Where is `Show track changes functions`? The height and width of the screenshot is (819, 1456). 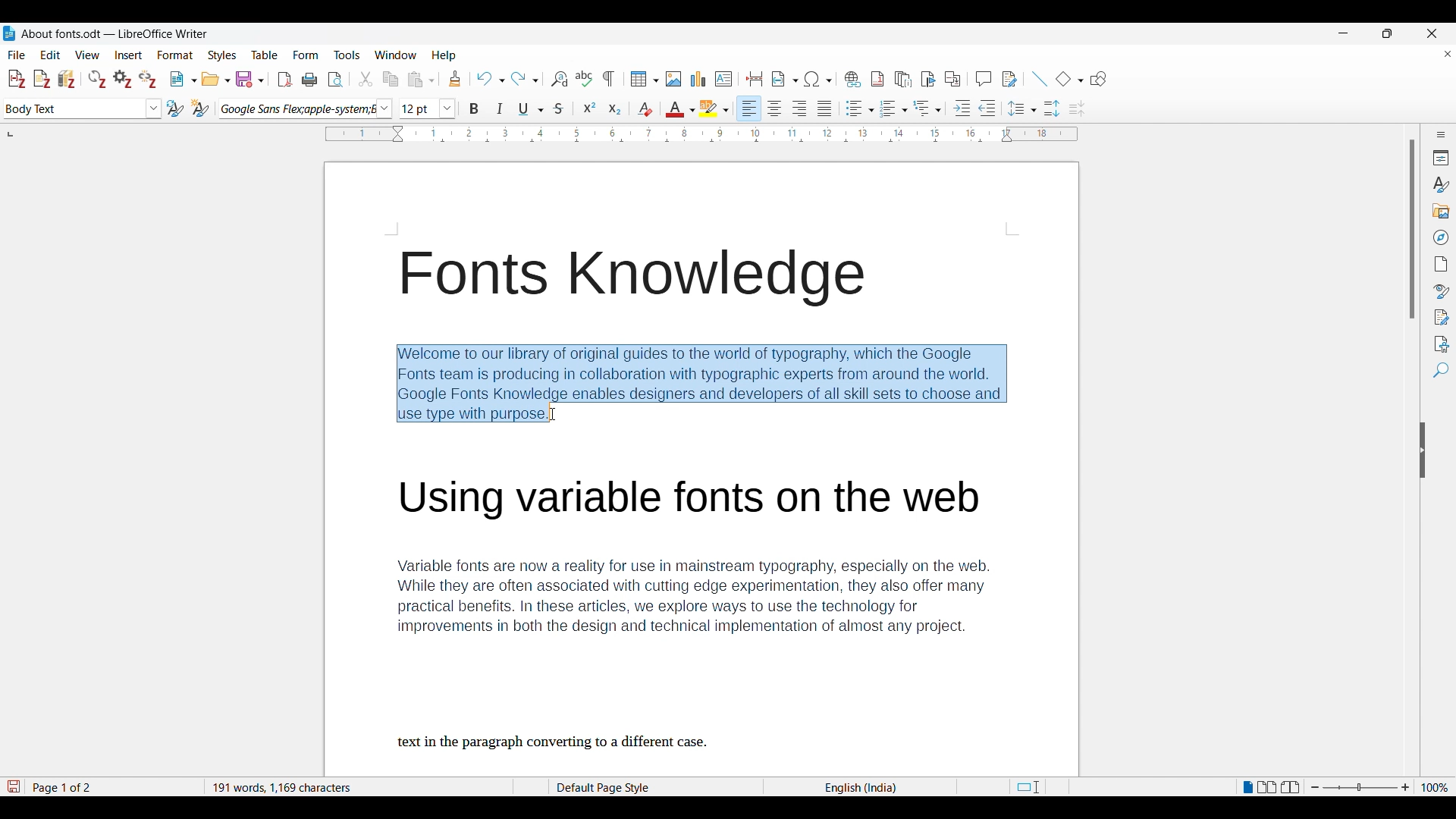
Show track changes functions is located at coordinates (1009, 79).